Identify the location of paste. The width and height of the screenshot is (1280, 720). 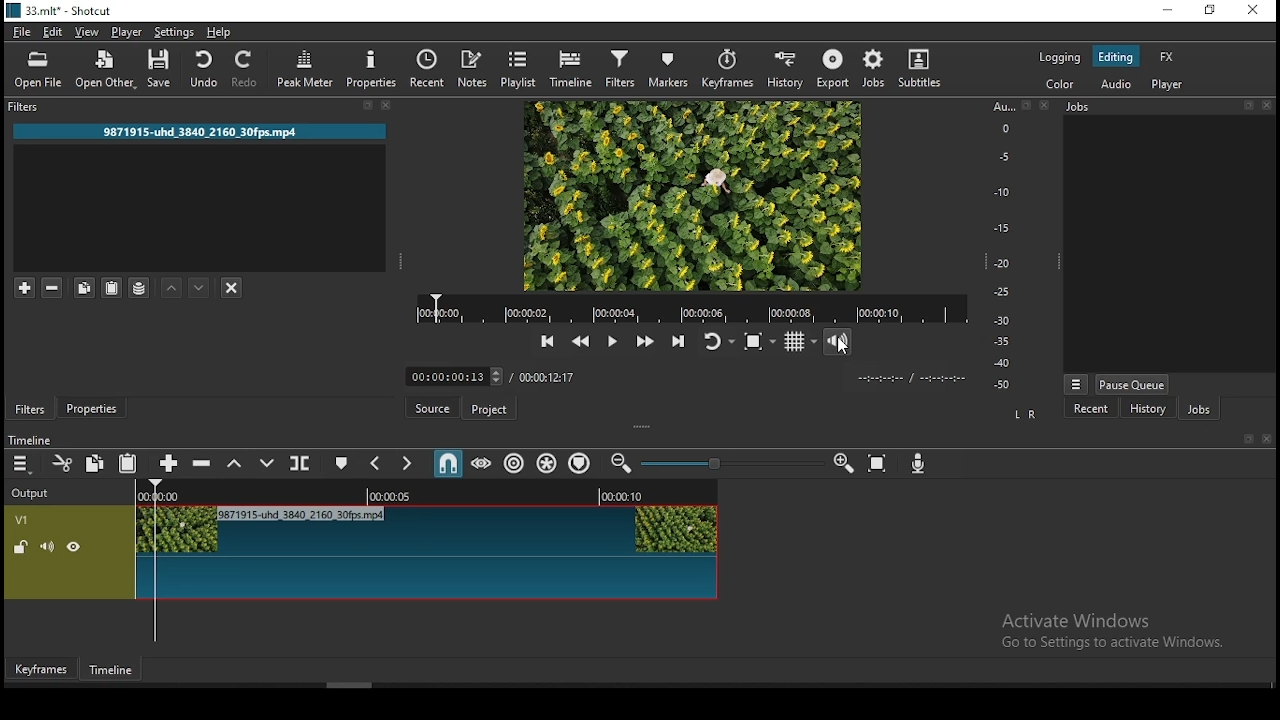
(127, 462).